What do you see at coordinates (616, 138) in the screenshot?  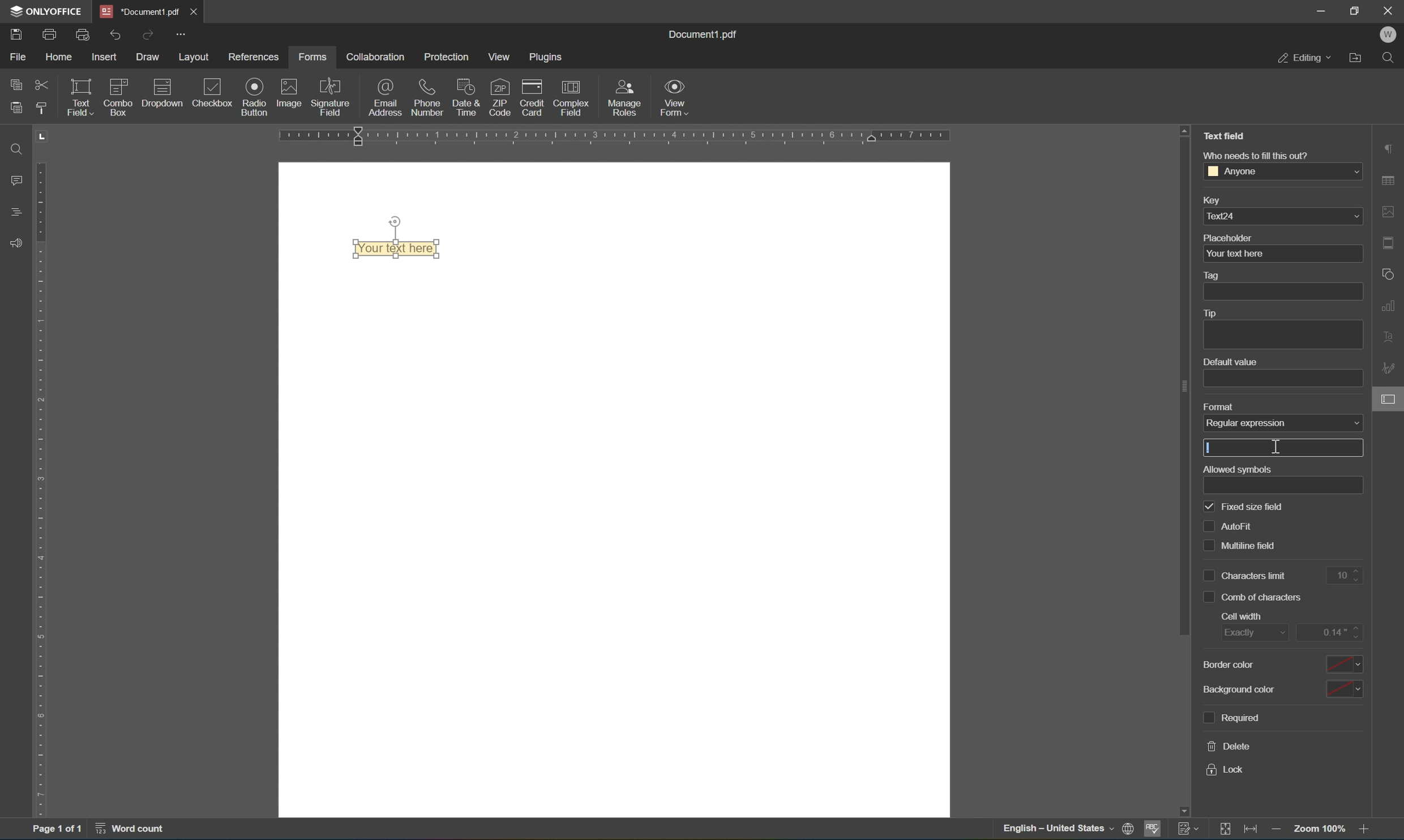 I see `ruler` at bounding box center [616, 138].